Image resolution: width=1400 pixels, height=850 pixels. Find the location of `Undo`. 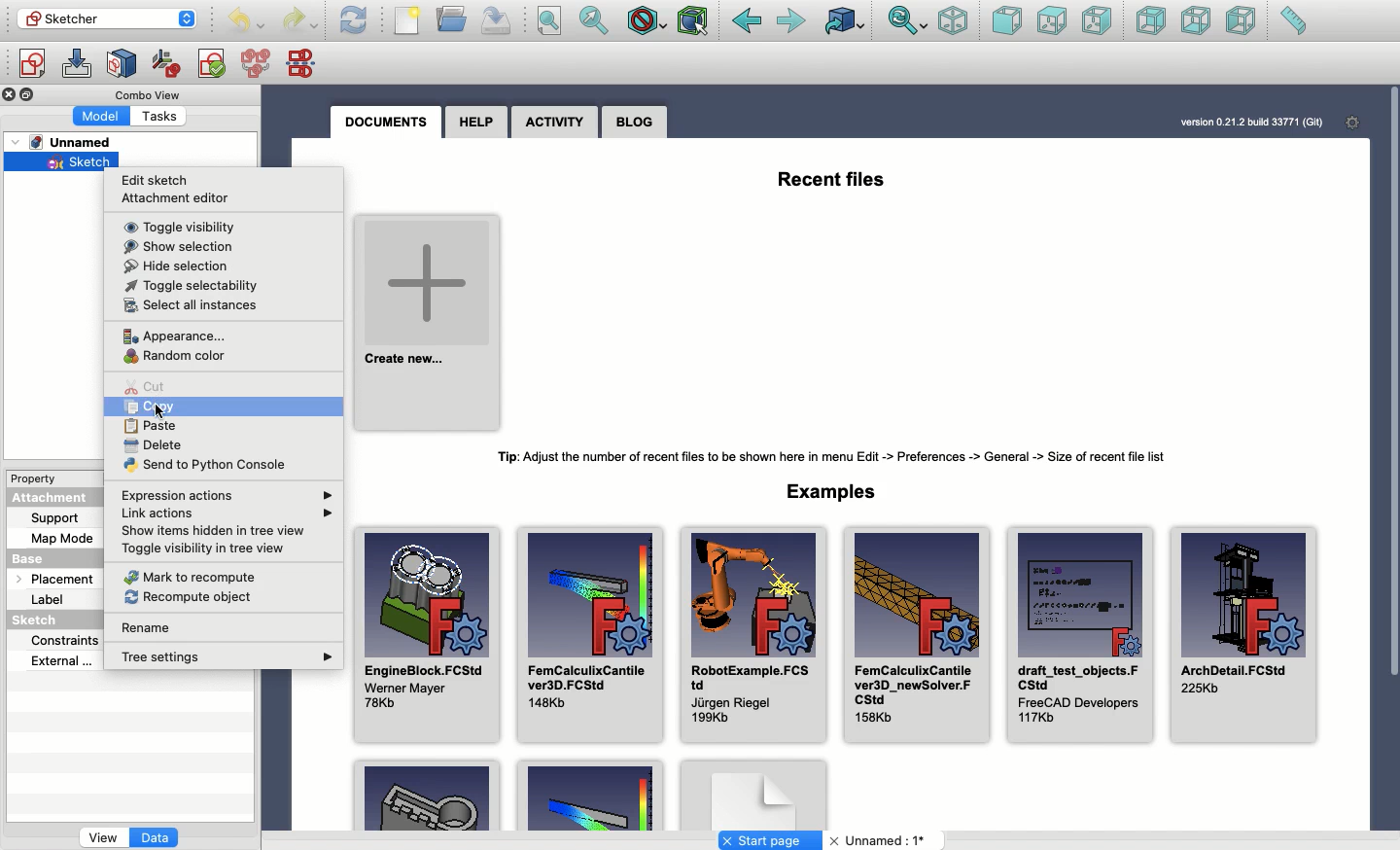

Undo is located at coordinates (246, 22).